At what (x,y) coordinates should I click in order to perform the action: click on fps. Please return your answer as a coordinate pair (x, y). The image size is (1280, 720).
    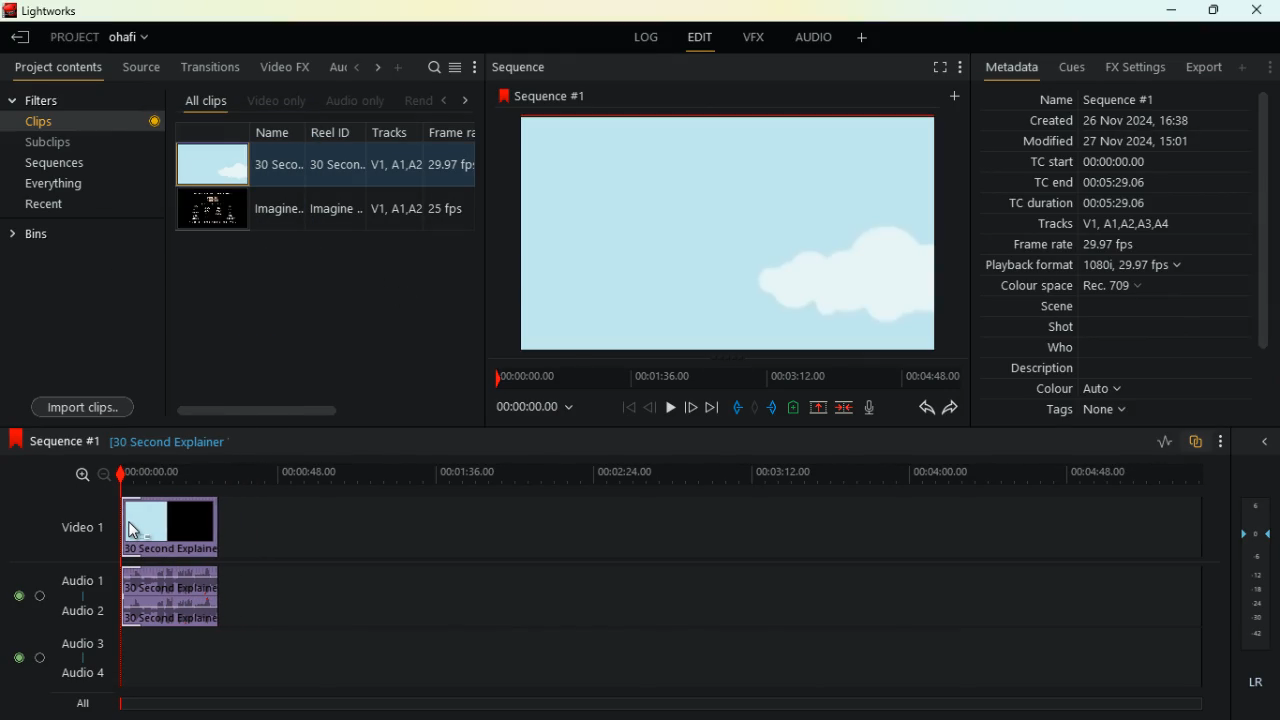
    Looking at the image, I should click on (458, 176).